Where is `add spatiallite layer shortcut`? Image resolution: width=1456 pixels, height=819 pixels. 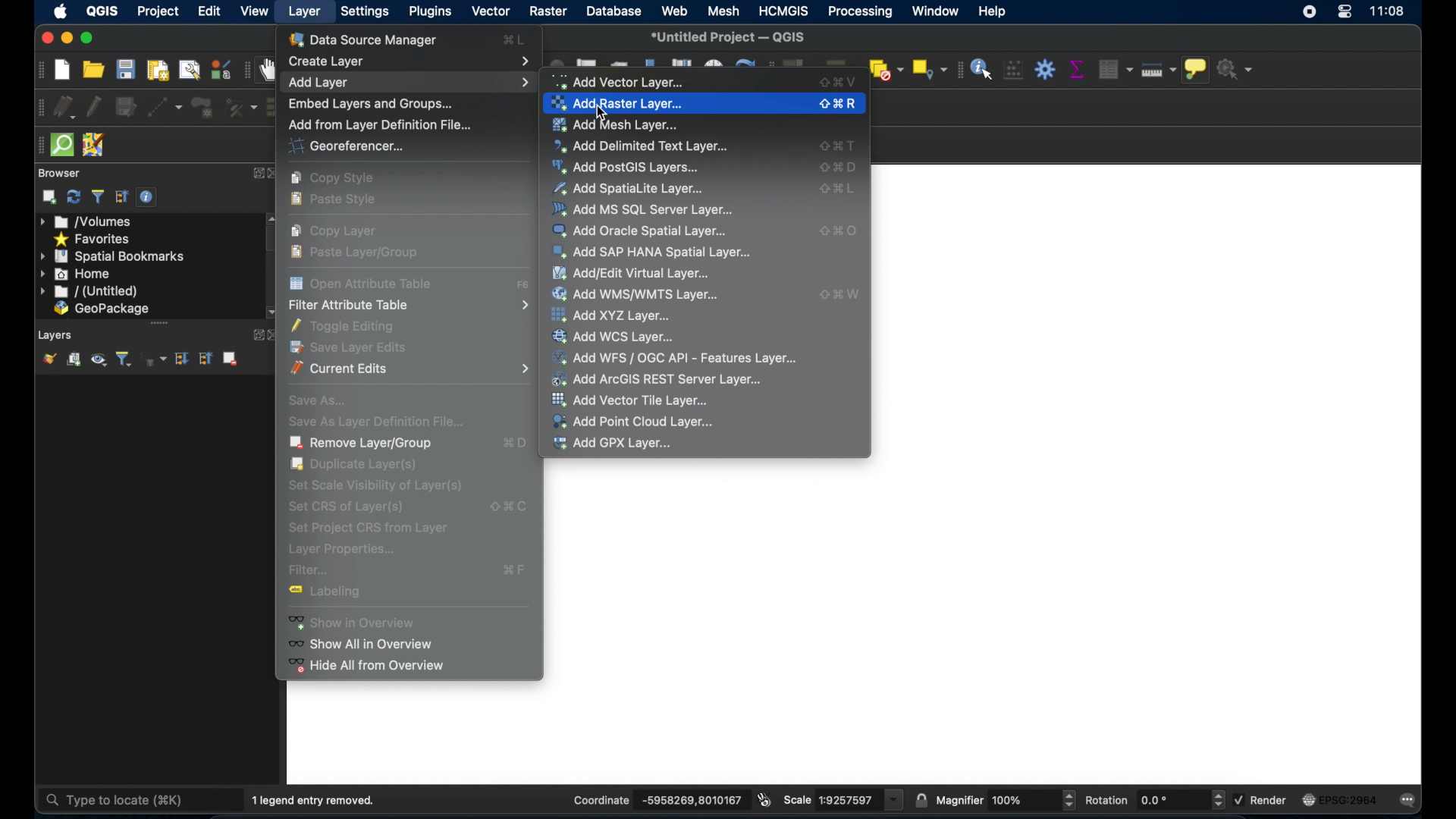
add spatiallite layer shortcut is located at coordinates (839, 191).